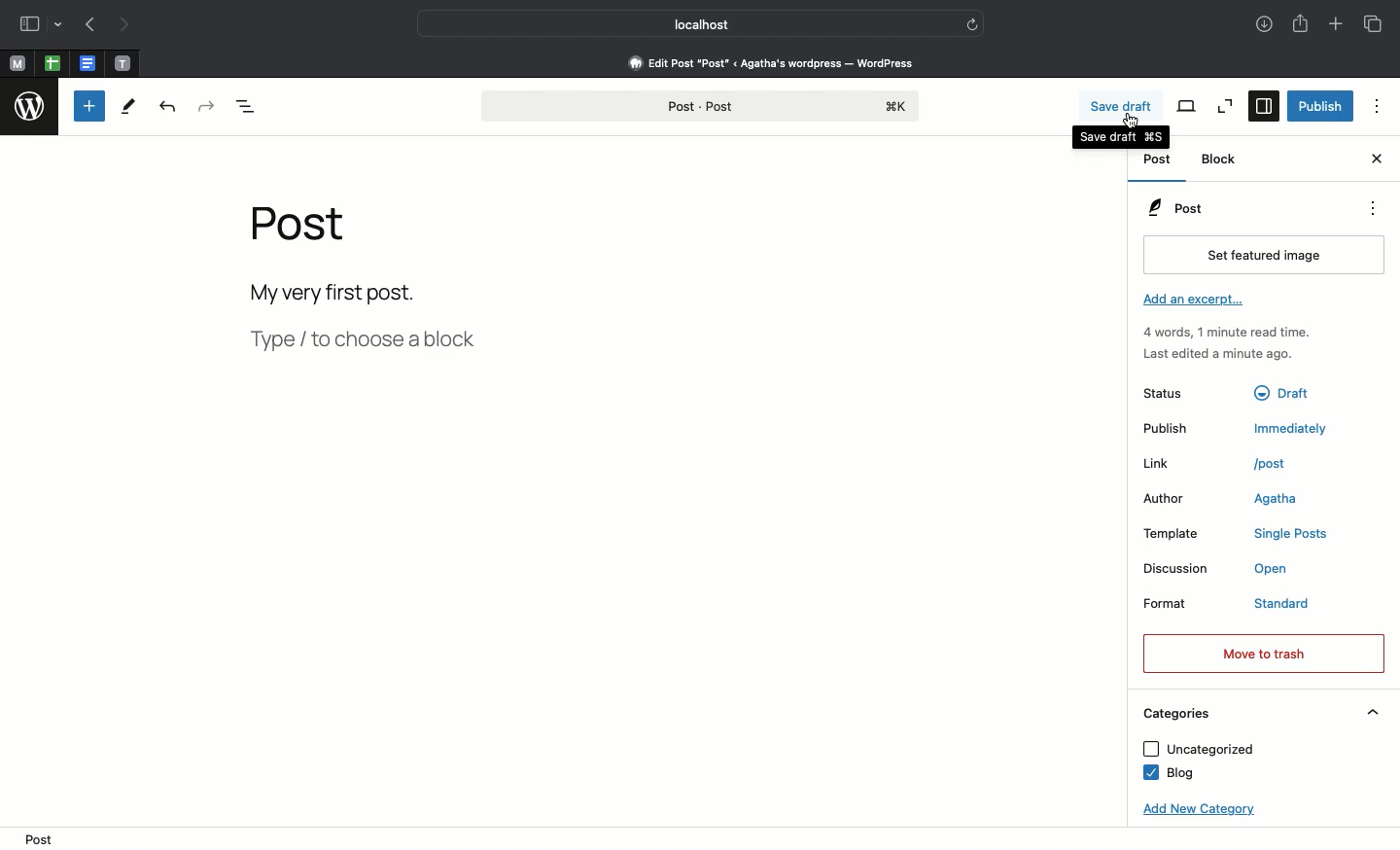  I want to click on Pinned tab, so click(17, 65).